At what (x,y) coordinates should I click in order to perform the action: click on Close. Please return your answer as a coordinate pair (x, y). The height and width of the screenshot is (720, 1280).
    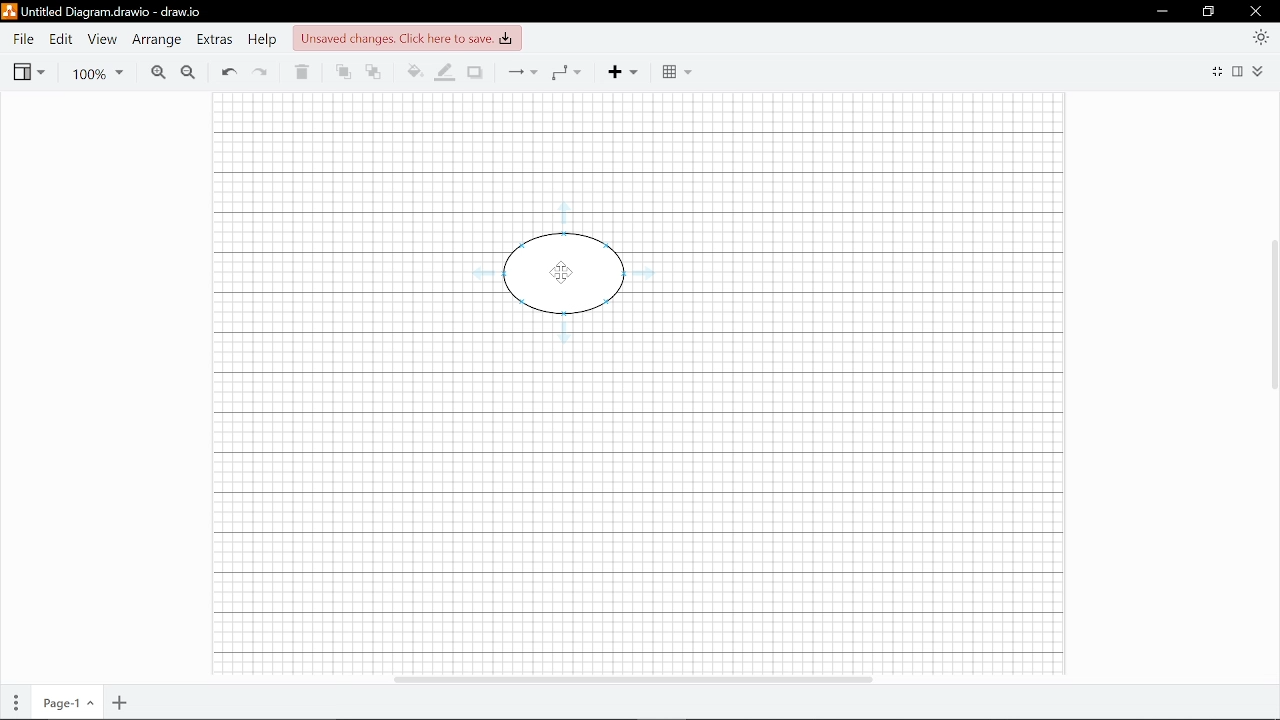
    Looking at the image, I should click on (1256, 11).